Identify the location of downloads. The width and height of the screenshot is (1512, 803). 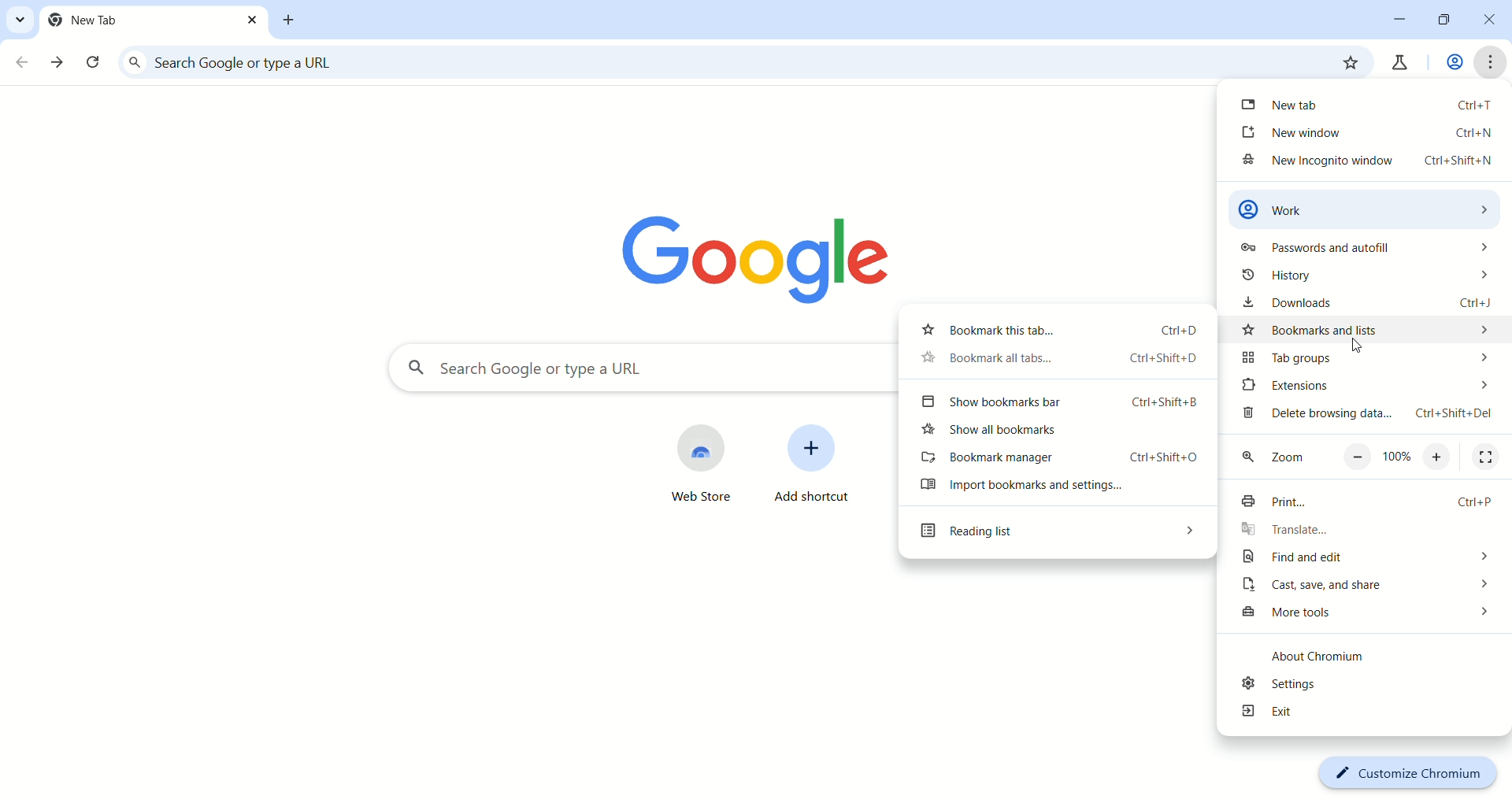
(1372, 303).